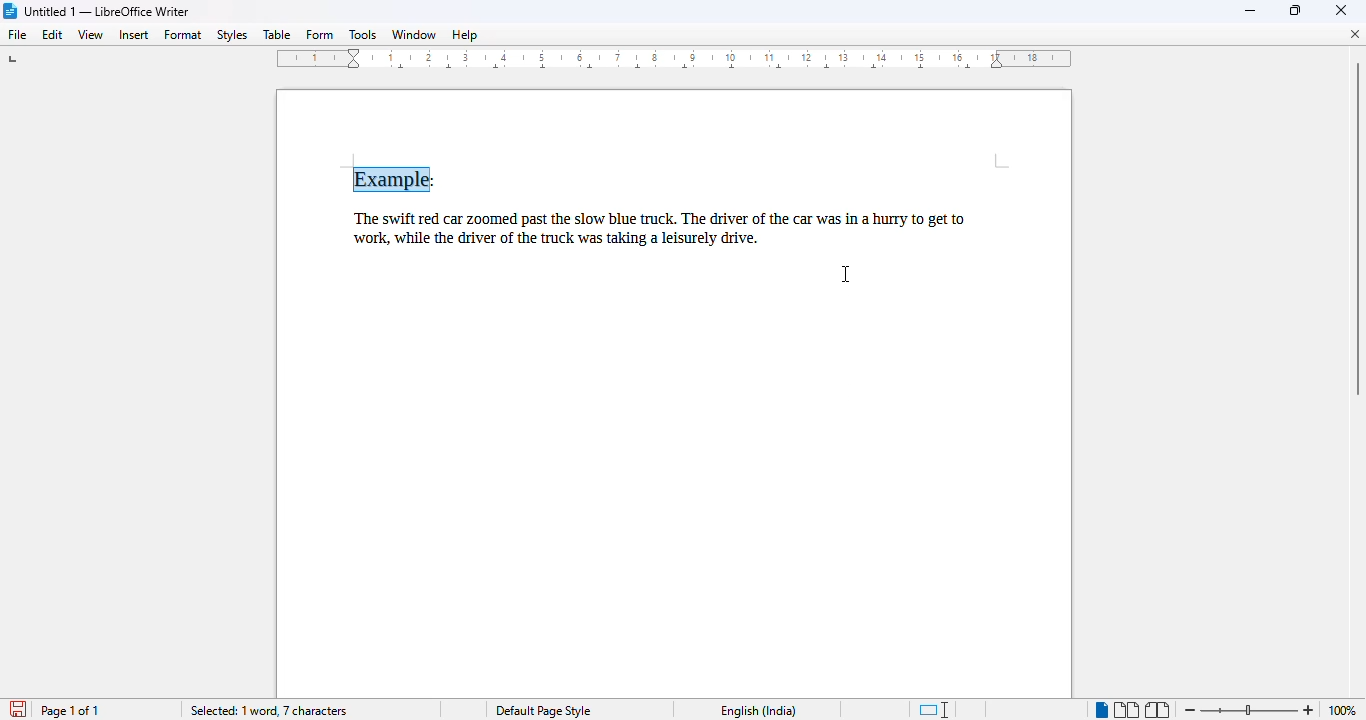 The image size is (1366, 720). What do you see at coordinates (759, 711) in the screenshot?
I see `English (India)` at bounding box center [759, 711].